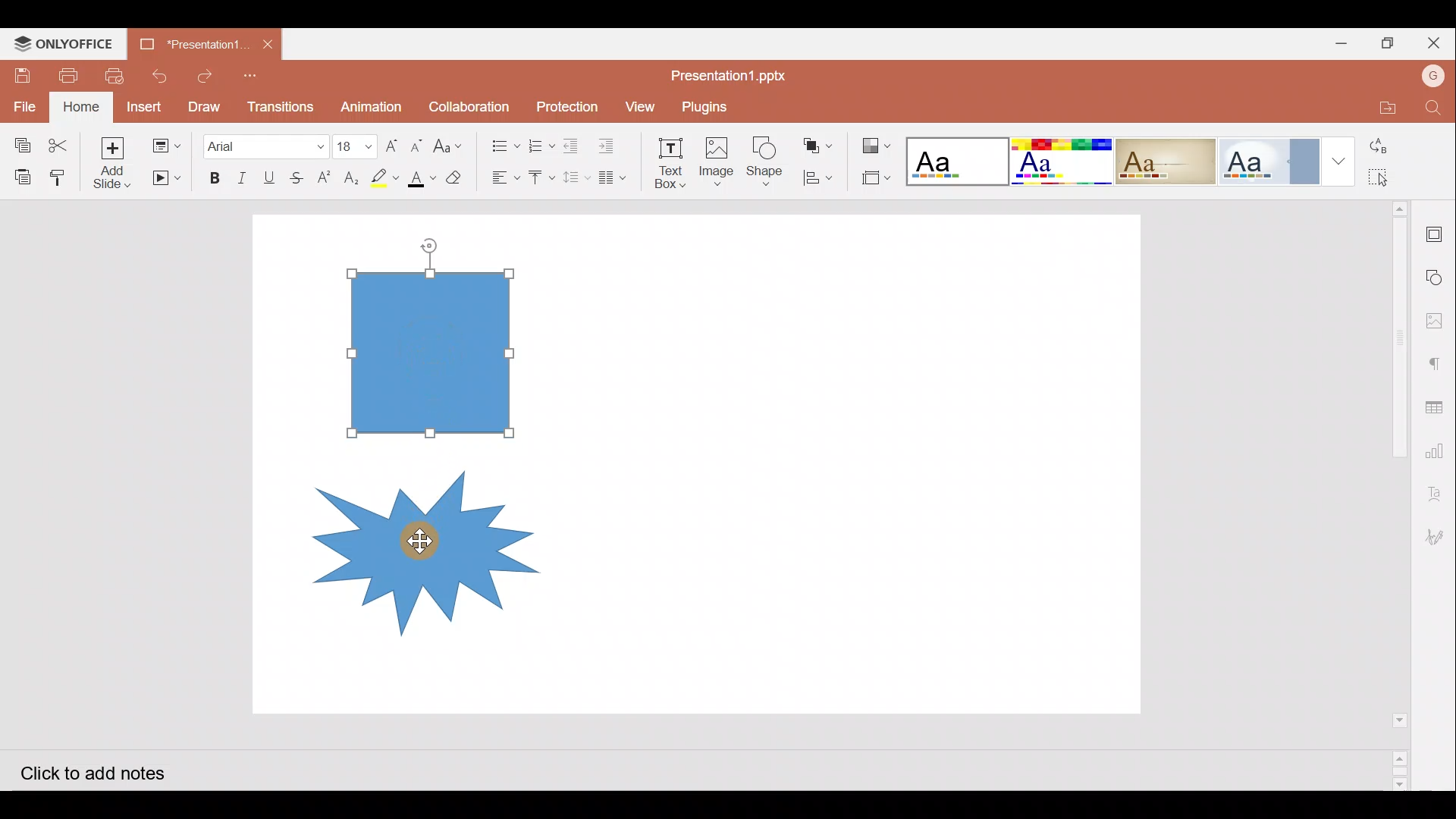  I want to click on Change colour theme, so click(878, 142).